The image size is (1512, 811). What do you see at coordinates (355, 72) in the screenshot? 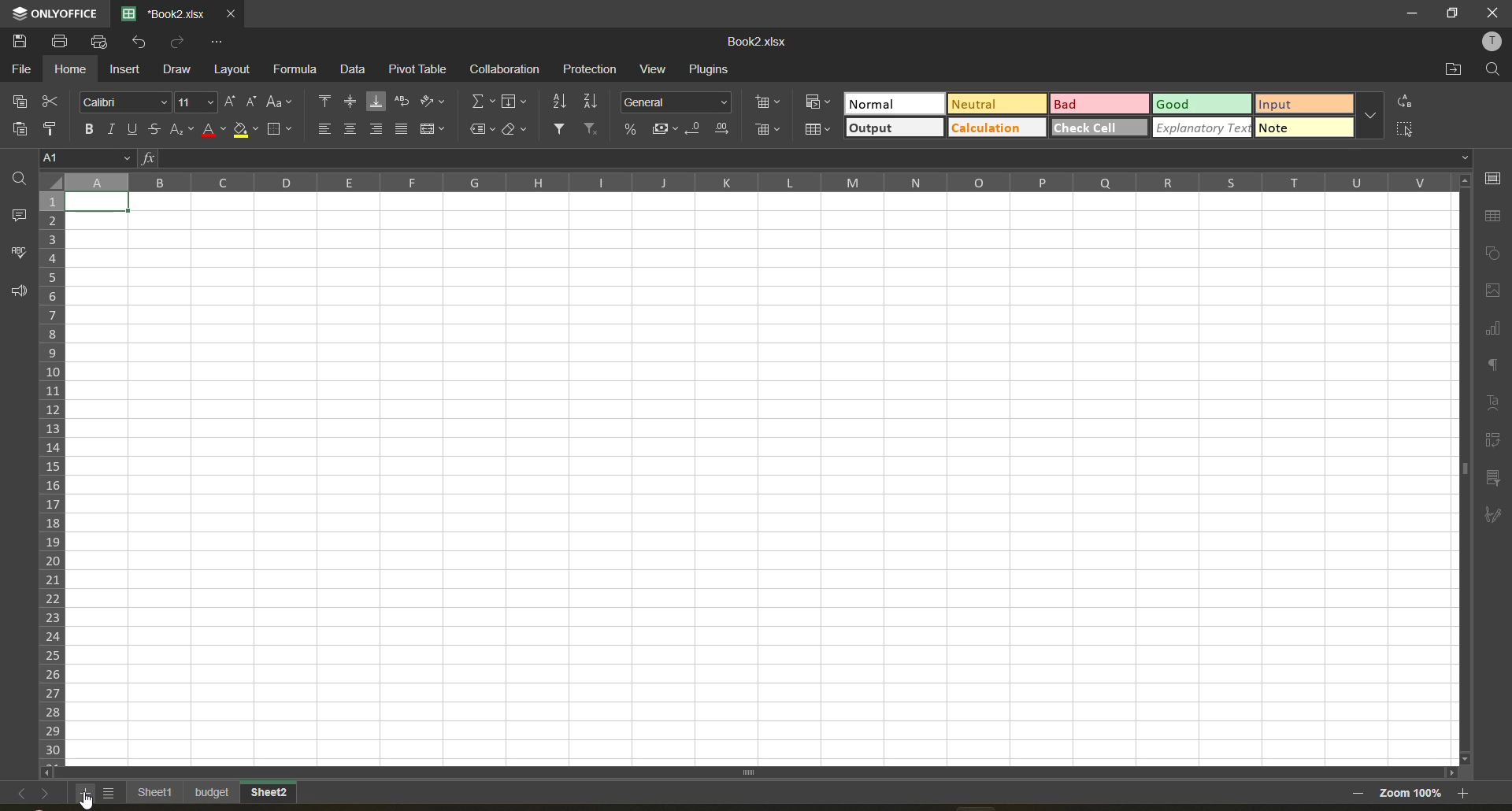
I see `data` at bounding box center [355, 72].